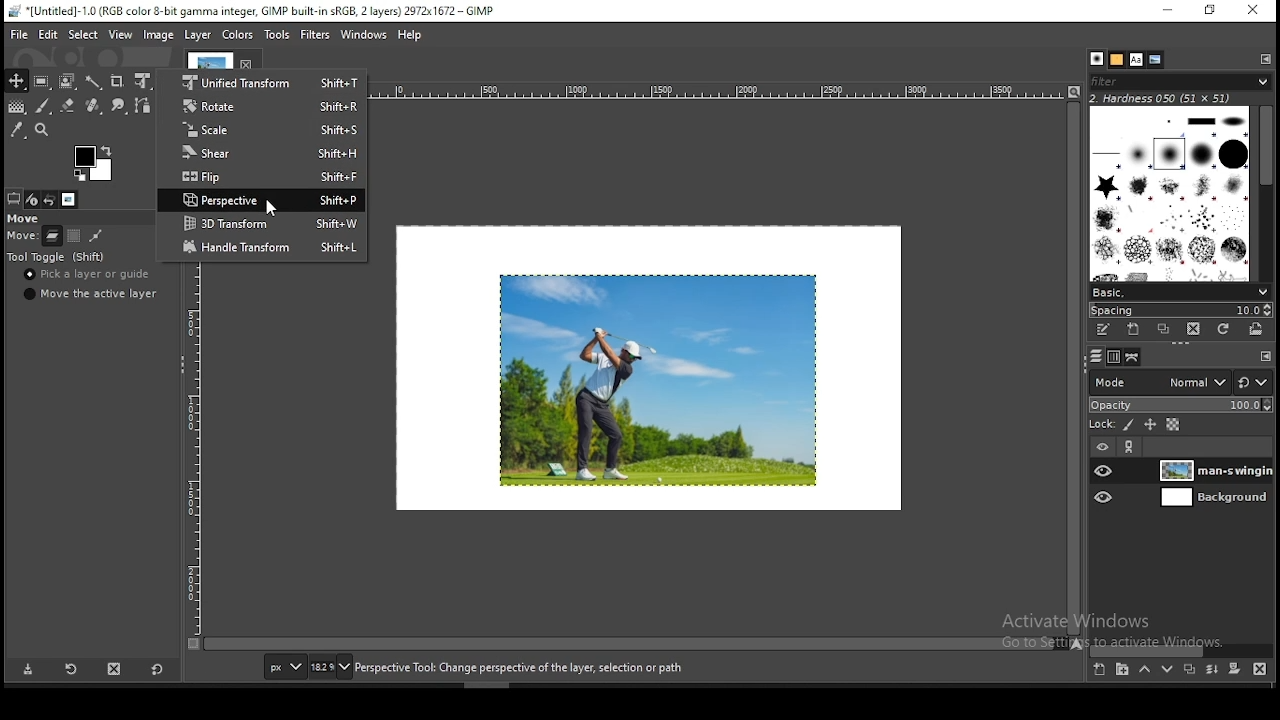 The height and width of the screenshot is (720, 1280). I want to click on minimize, so click(1167, 10).